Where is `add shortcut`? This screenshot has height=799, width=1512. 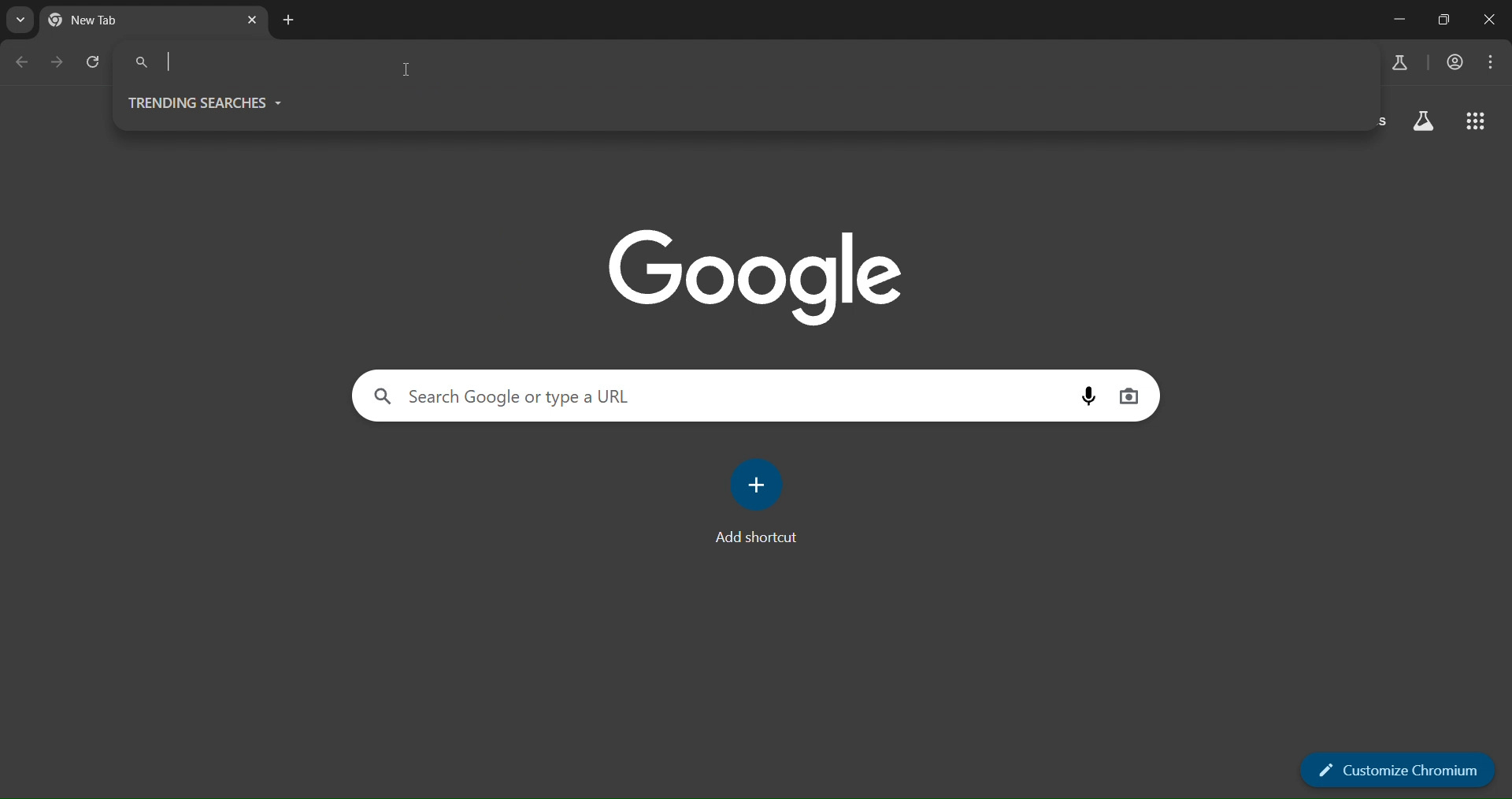 add shortcut is located at coordinates (762, 500).